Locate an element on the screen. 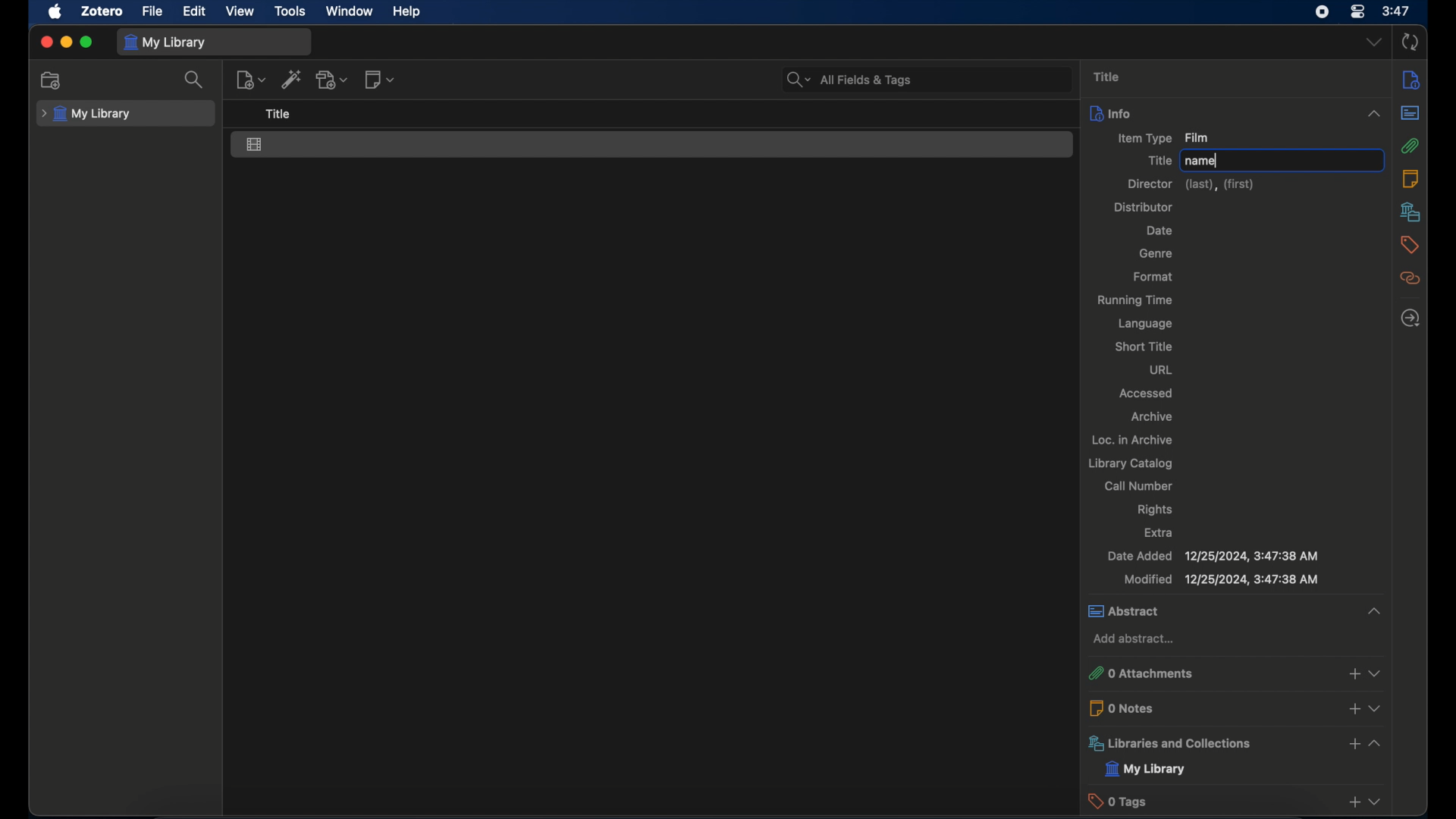 The width and height of the screenshot is (1456, 819). tags is located at coordinates (1410, 245).